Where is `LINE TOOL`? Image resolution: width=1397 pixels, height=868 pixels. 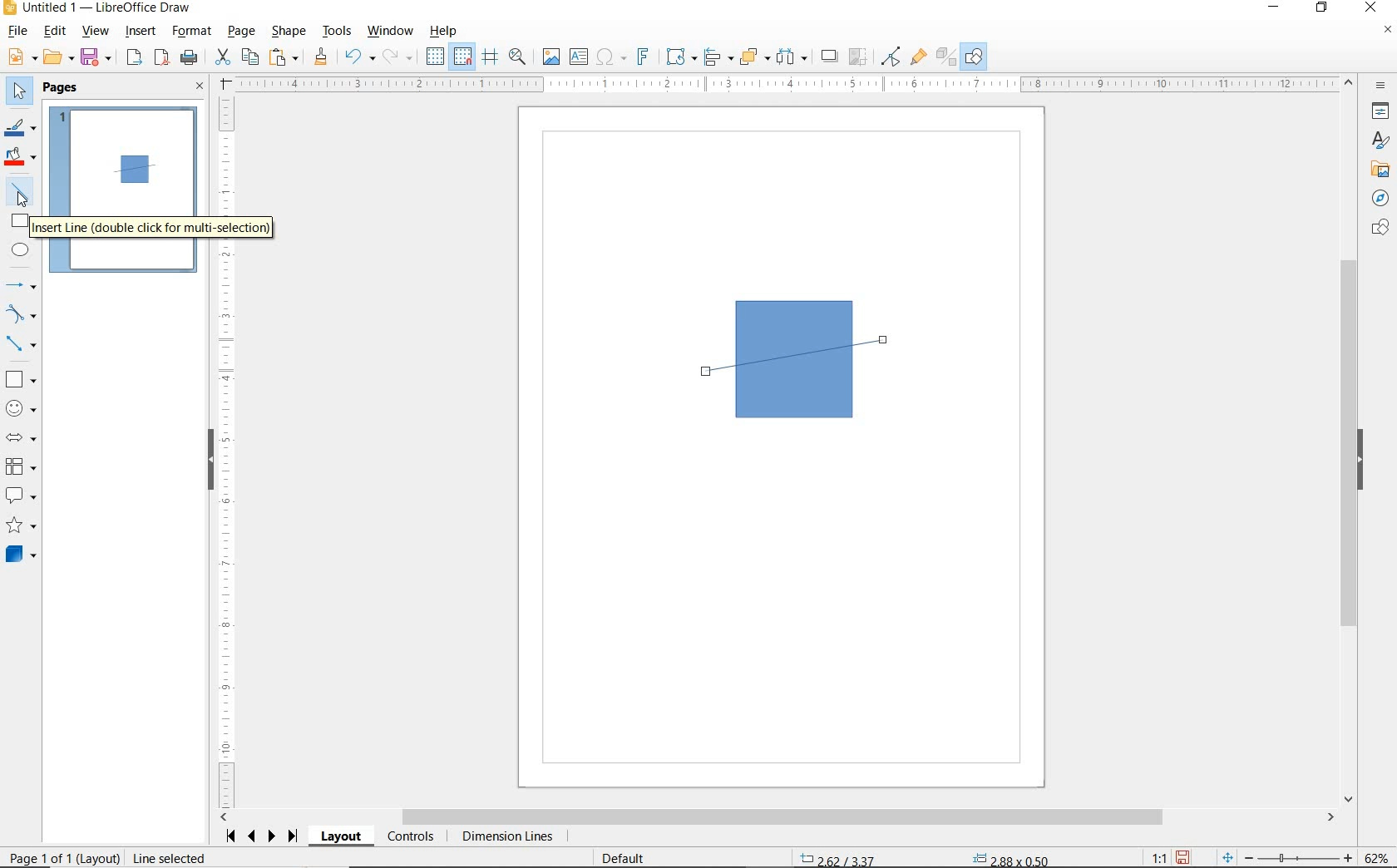
LINE TOOL is located at coordinates (710, 373).